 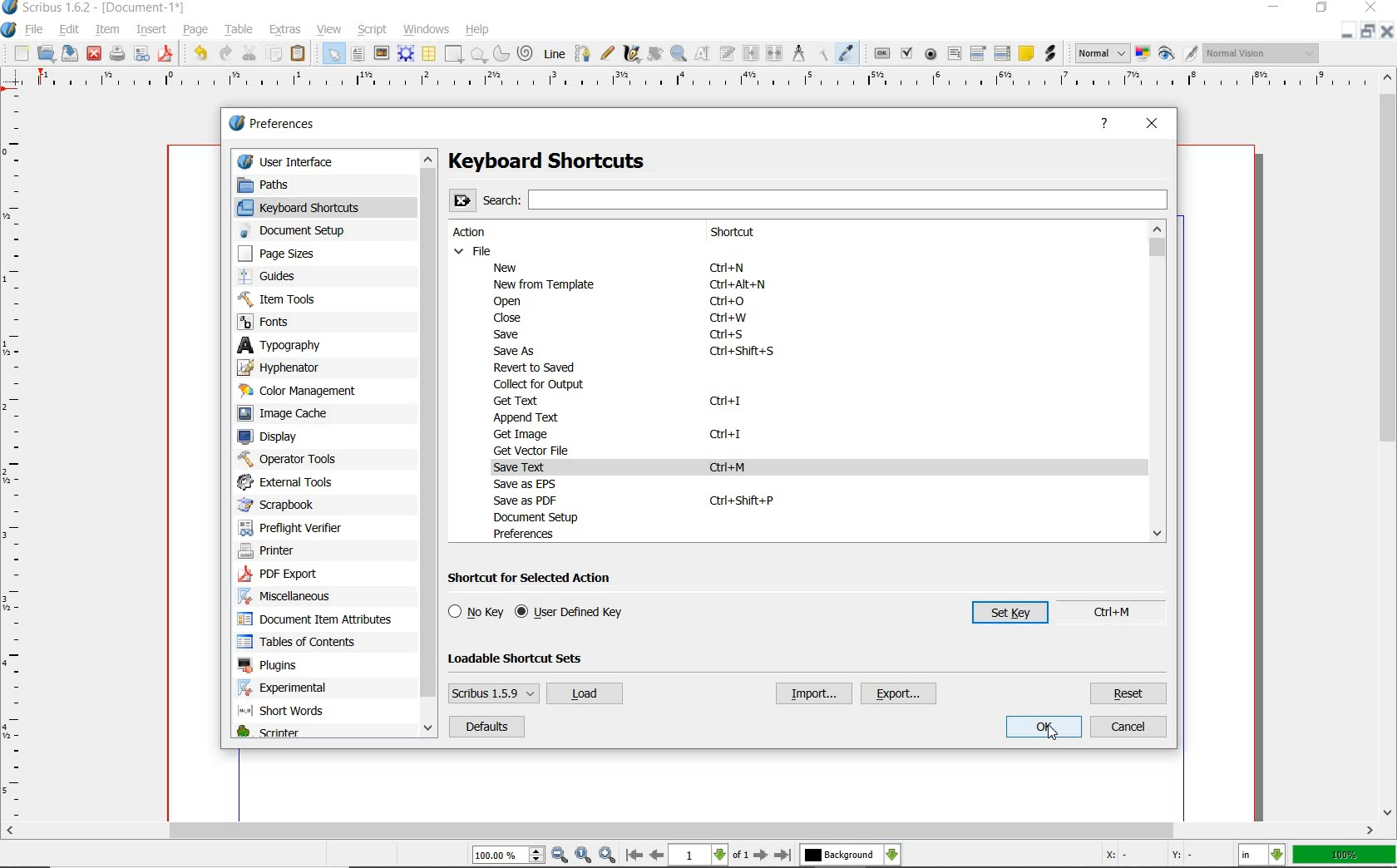 I want to click on script, so click(x=375, y=30).